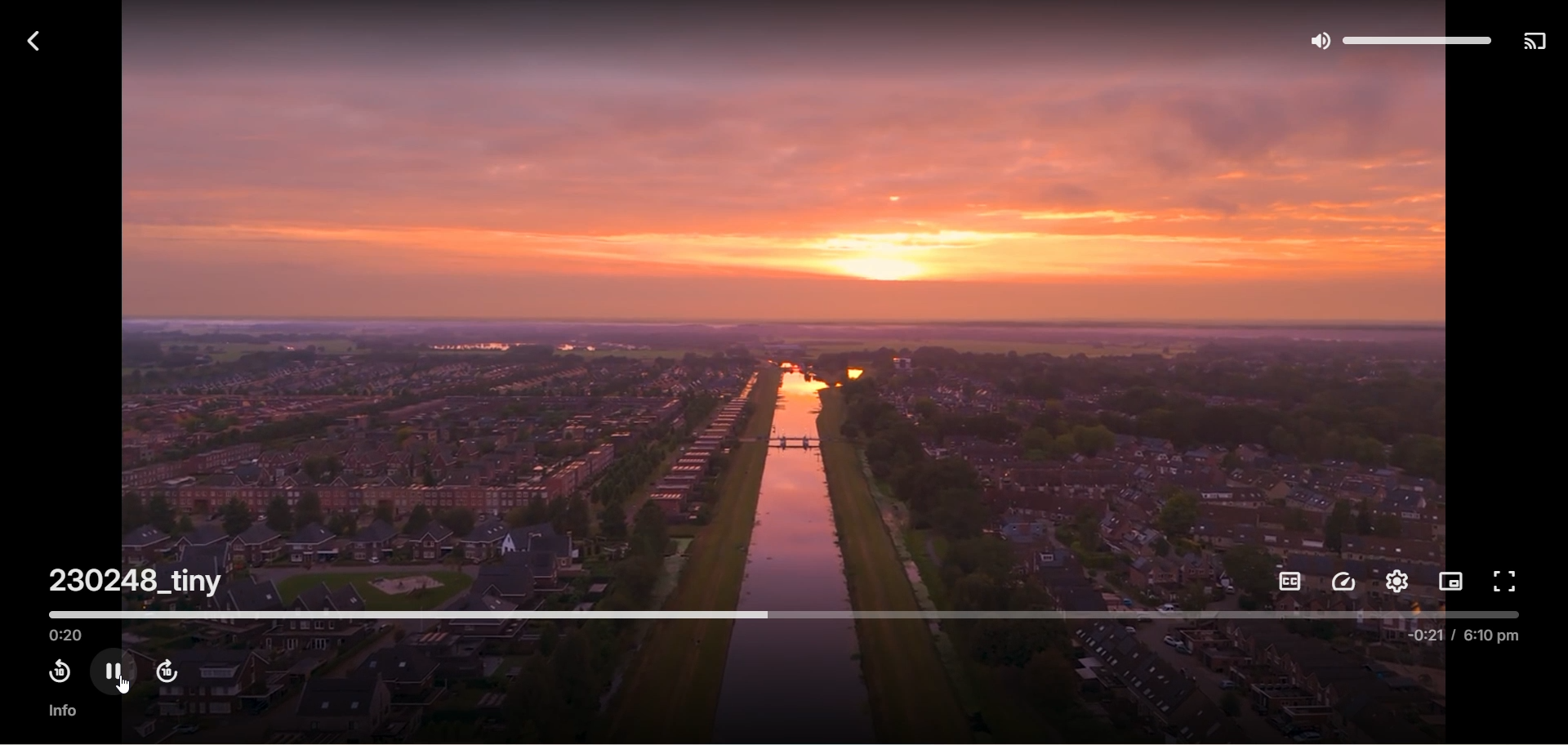  What do you see at coordinates (1398, 582) in the screenshot?
I see `settings` at bounding box center [1398, 582].